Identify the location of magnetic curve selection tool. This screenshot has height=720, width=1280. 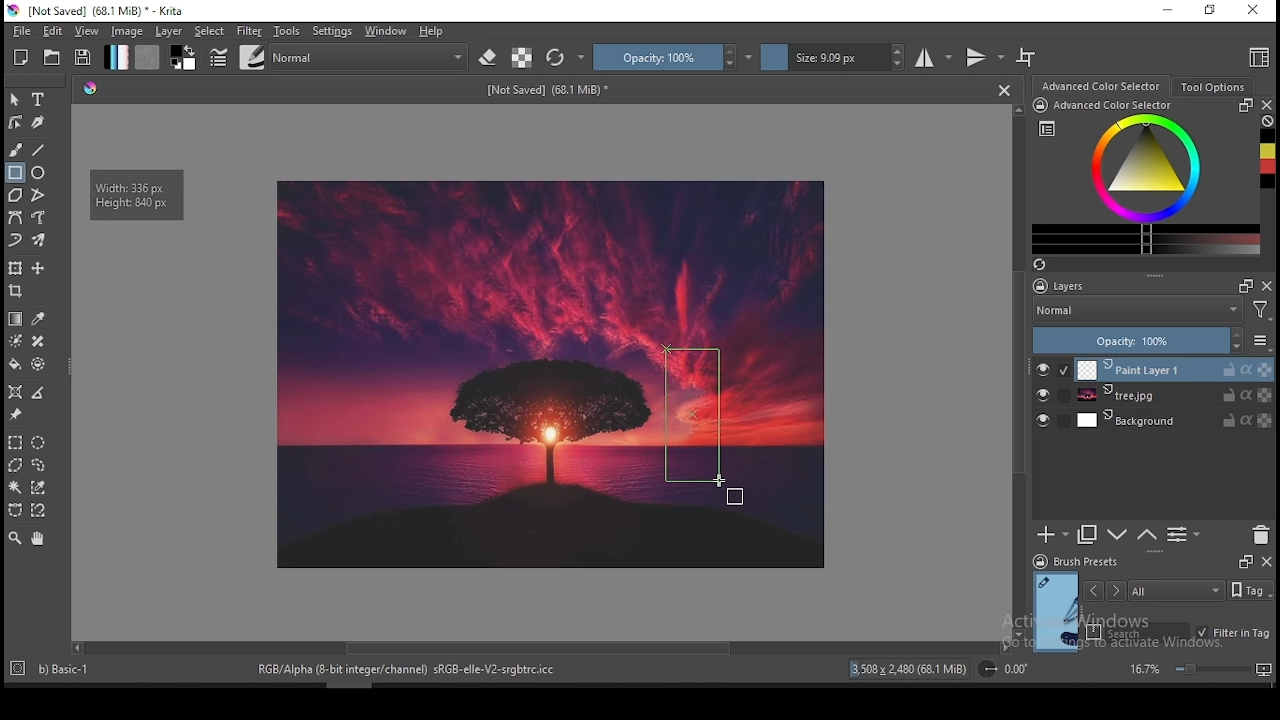
(40, 511).